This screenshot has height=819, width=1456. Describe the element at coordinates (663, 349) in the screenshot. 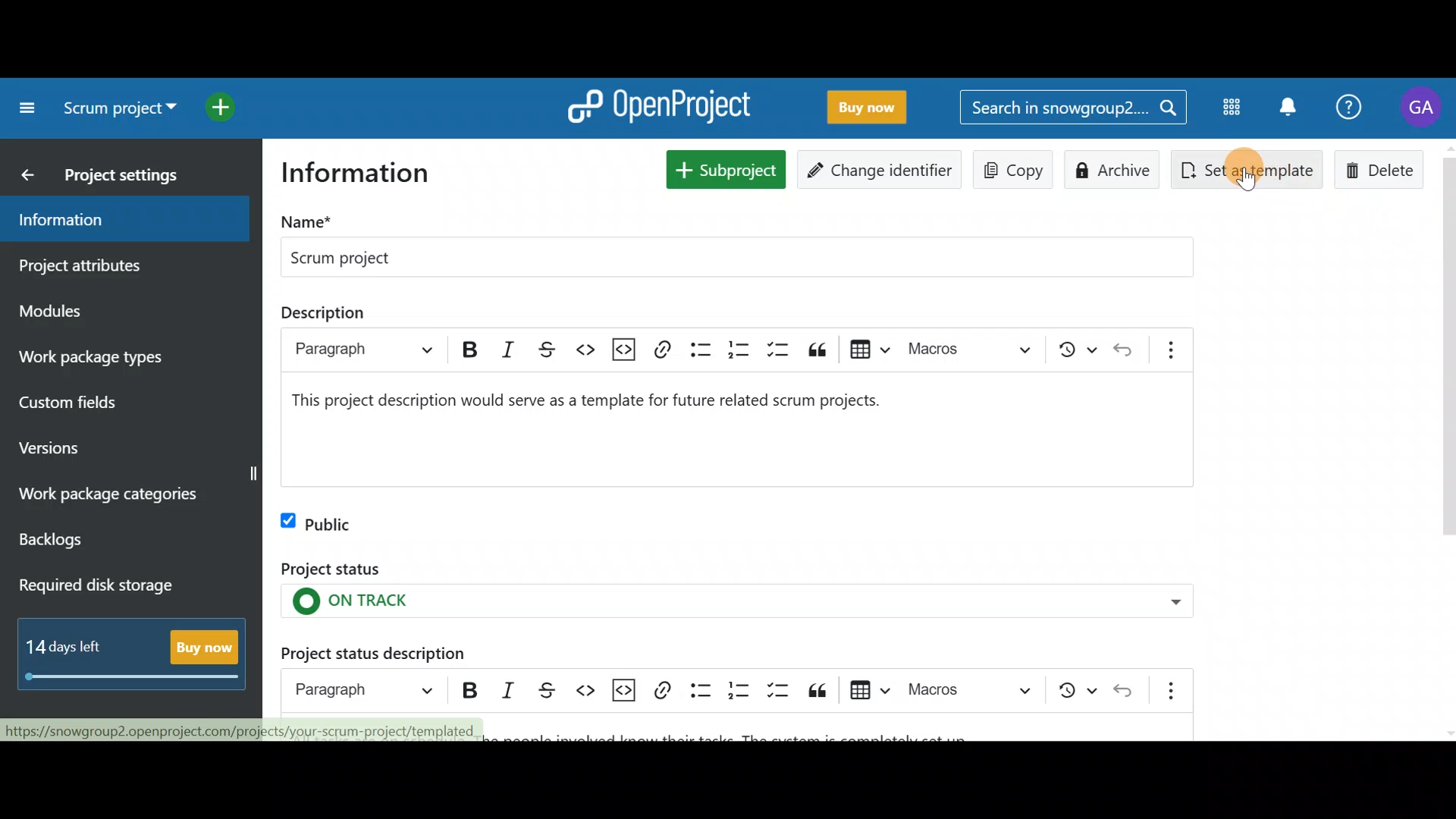

I see `link` at that location.